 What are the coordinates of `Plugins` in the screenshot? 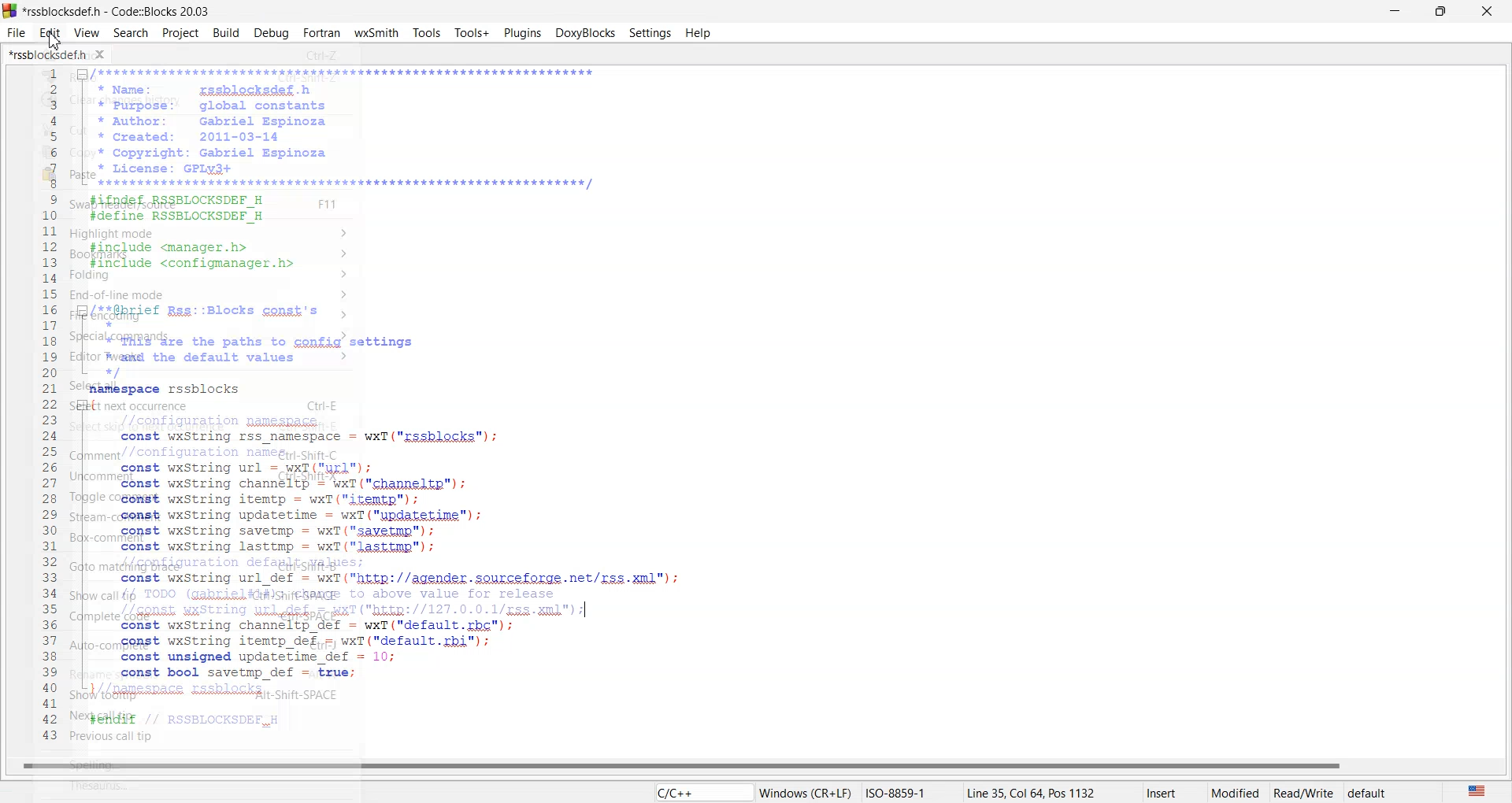 It's located at (523, 34).